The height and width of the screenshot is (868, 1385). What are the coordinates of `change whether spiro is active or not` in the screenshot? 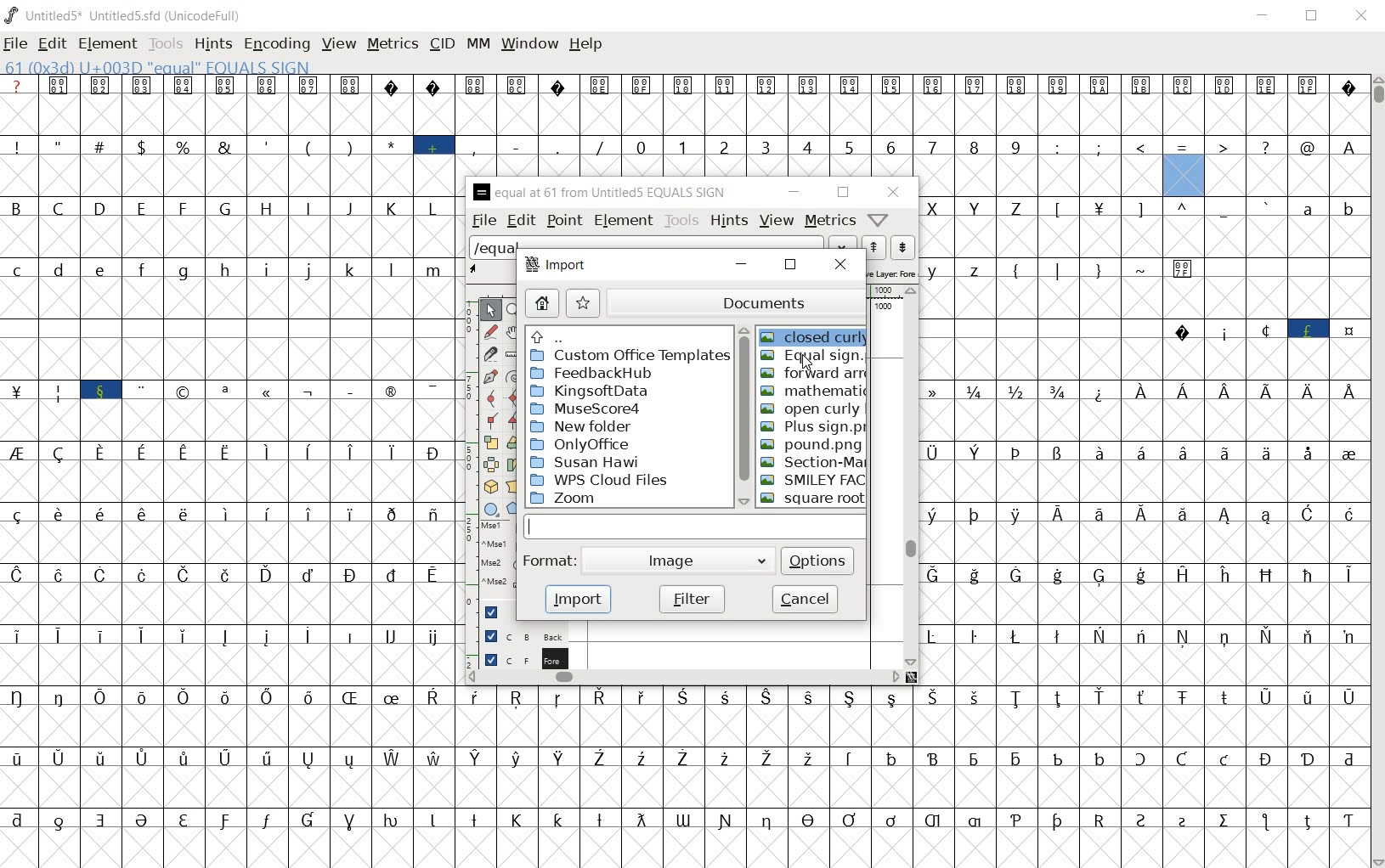 It's located at (513, 376).